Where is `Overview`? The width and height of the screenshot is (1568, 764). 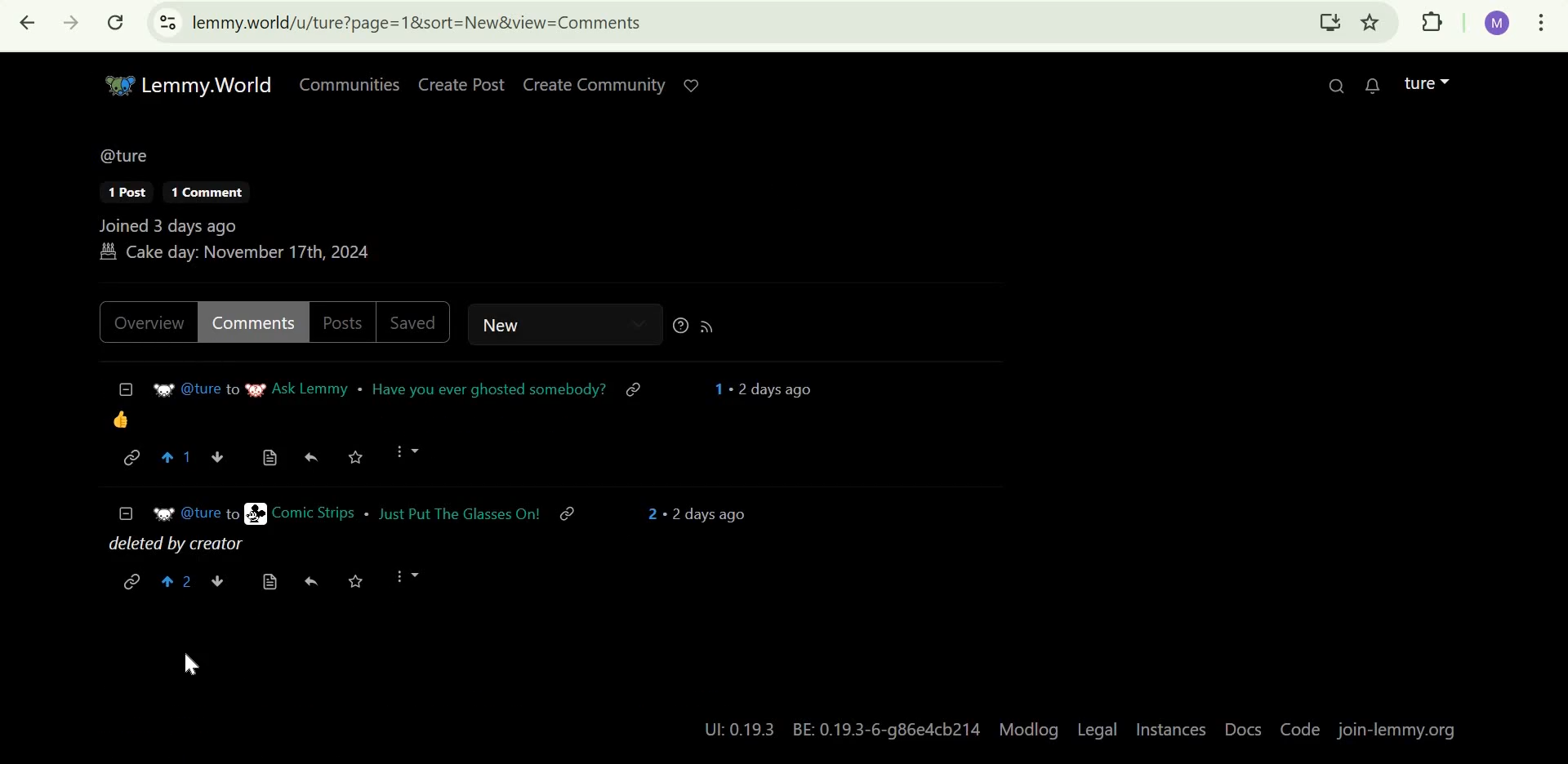
Overview is located at coordinates (150, 324).